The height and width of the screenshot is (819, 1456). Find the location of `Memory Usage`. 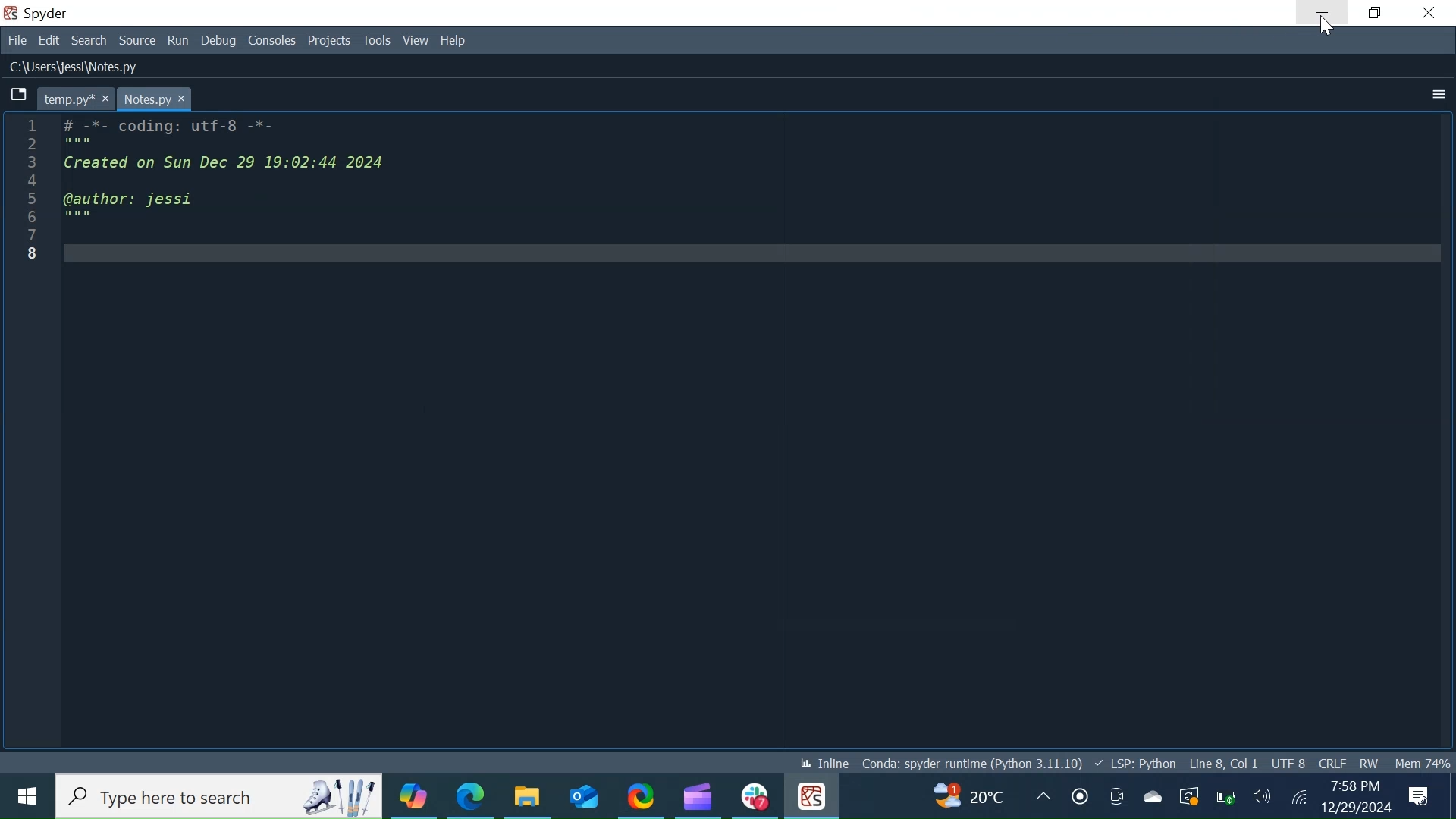

Memory Usage is located at coordinates (1419, 764).